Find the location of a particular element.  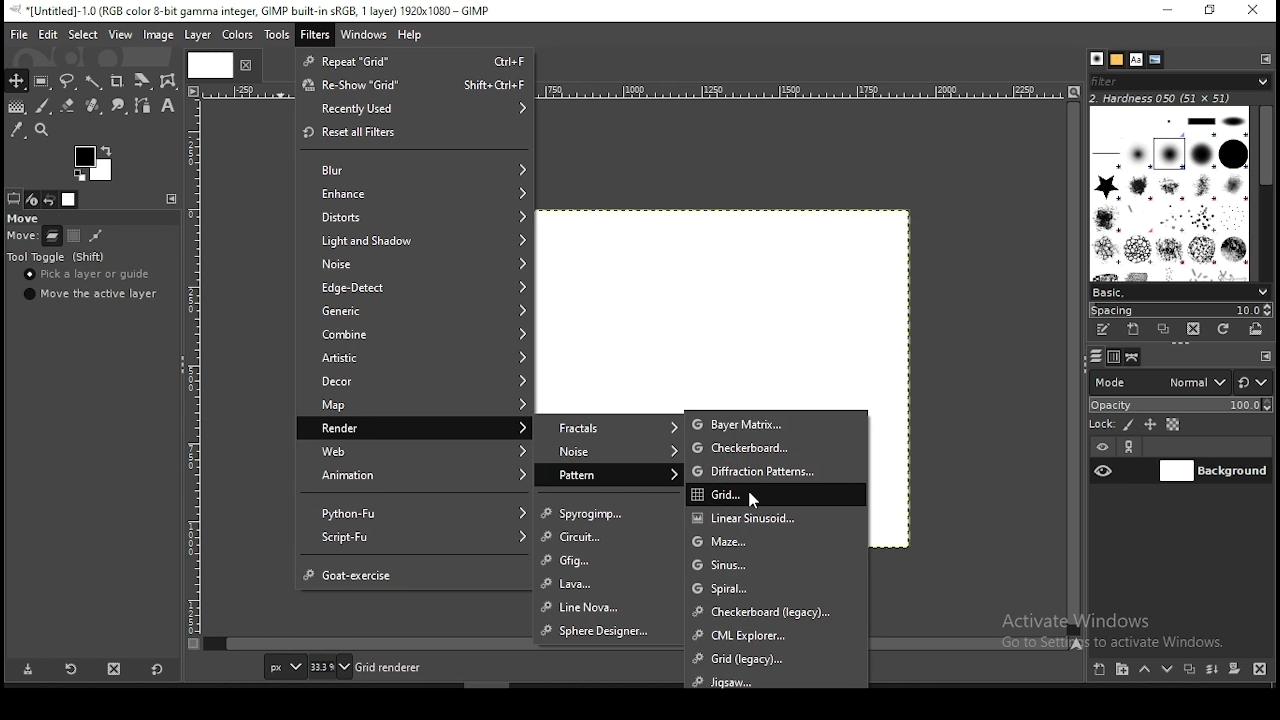

noise is located at coordinates (609, 451).